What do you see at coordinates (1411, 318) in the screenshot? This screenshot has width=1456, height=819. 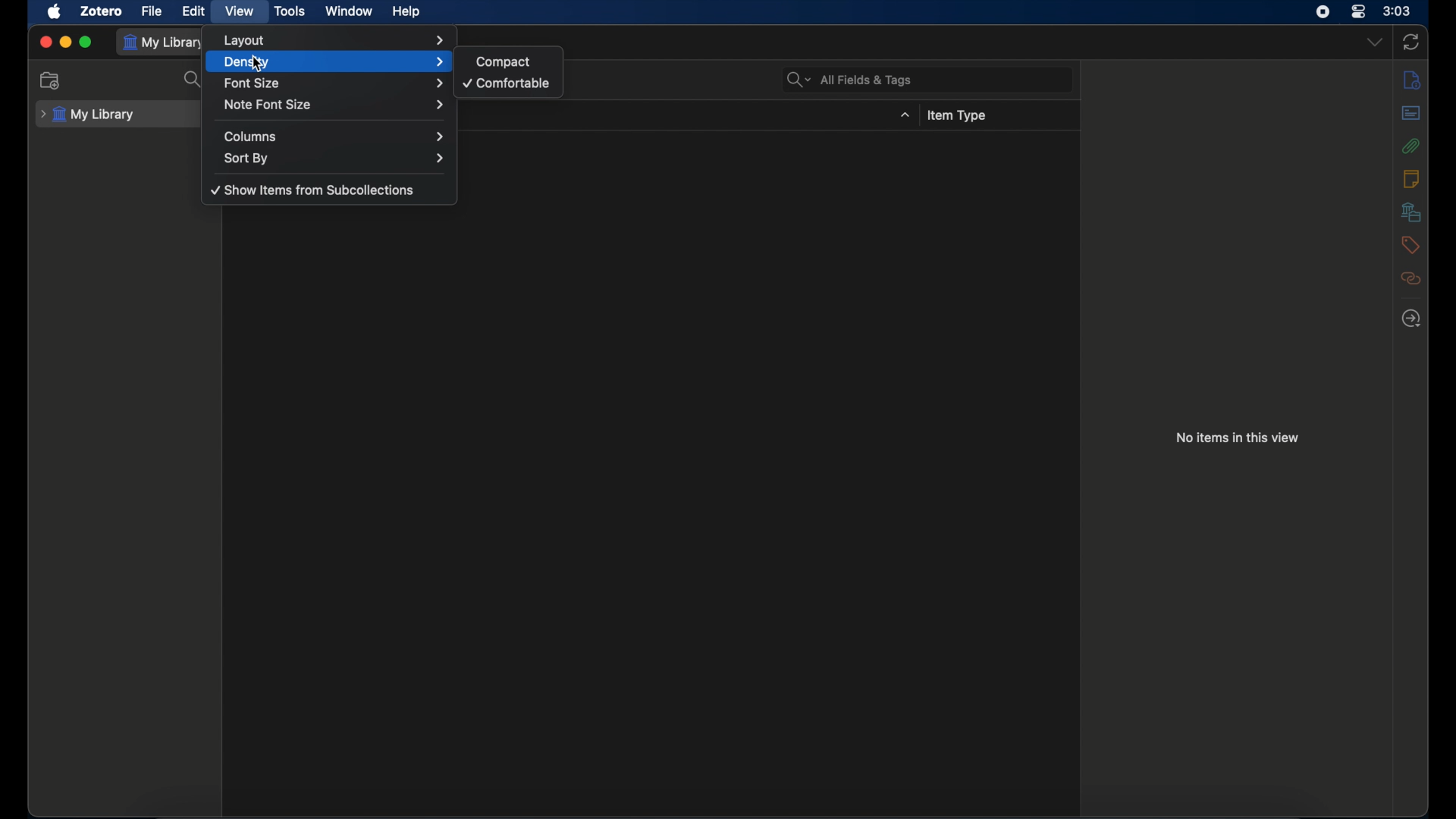 I see `locate` at bounding box center [1411, 318].